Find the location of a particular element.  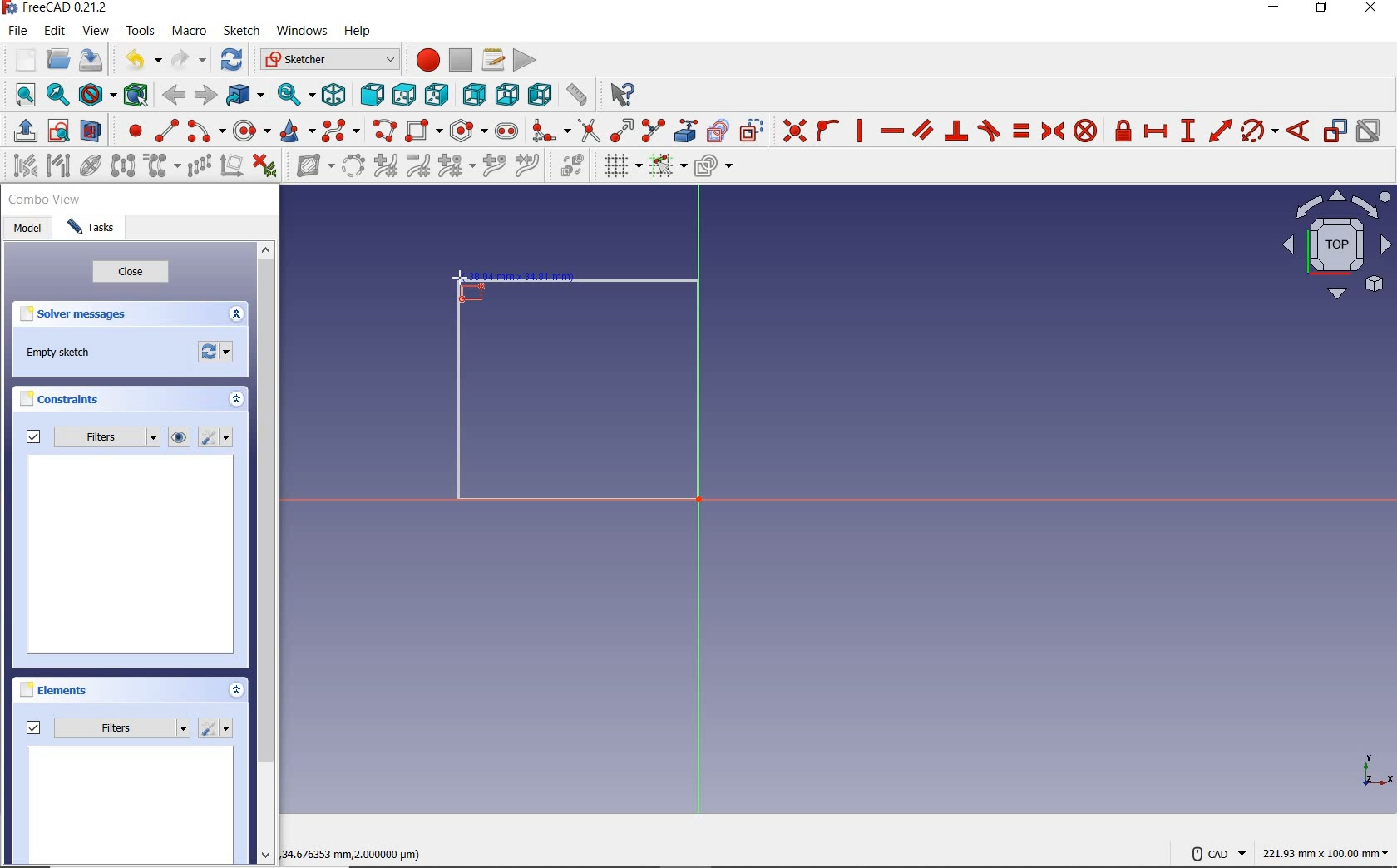

refresh is located at coordinates (233, 61).